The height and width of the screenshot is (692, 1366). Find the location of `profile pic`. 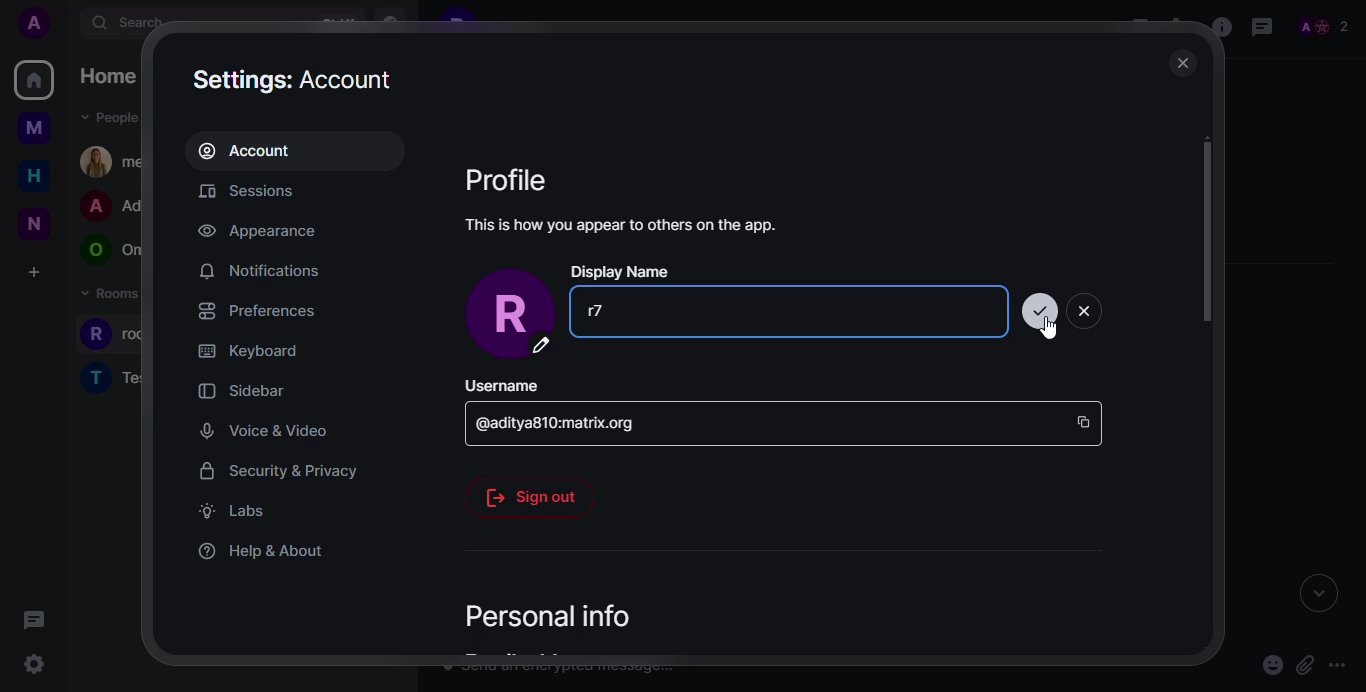

profile pic is located at coordinates (507, 315).